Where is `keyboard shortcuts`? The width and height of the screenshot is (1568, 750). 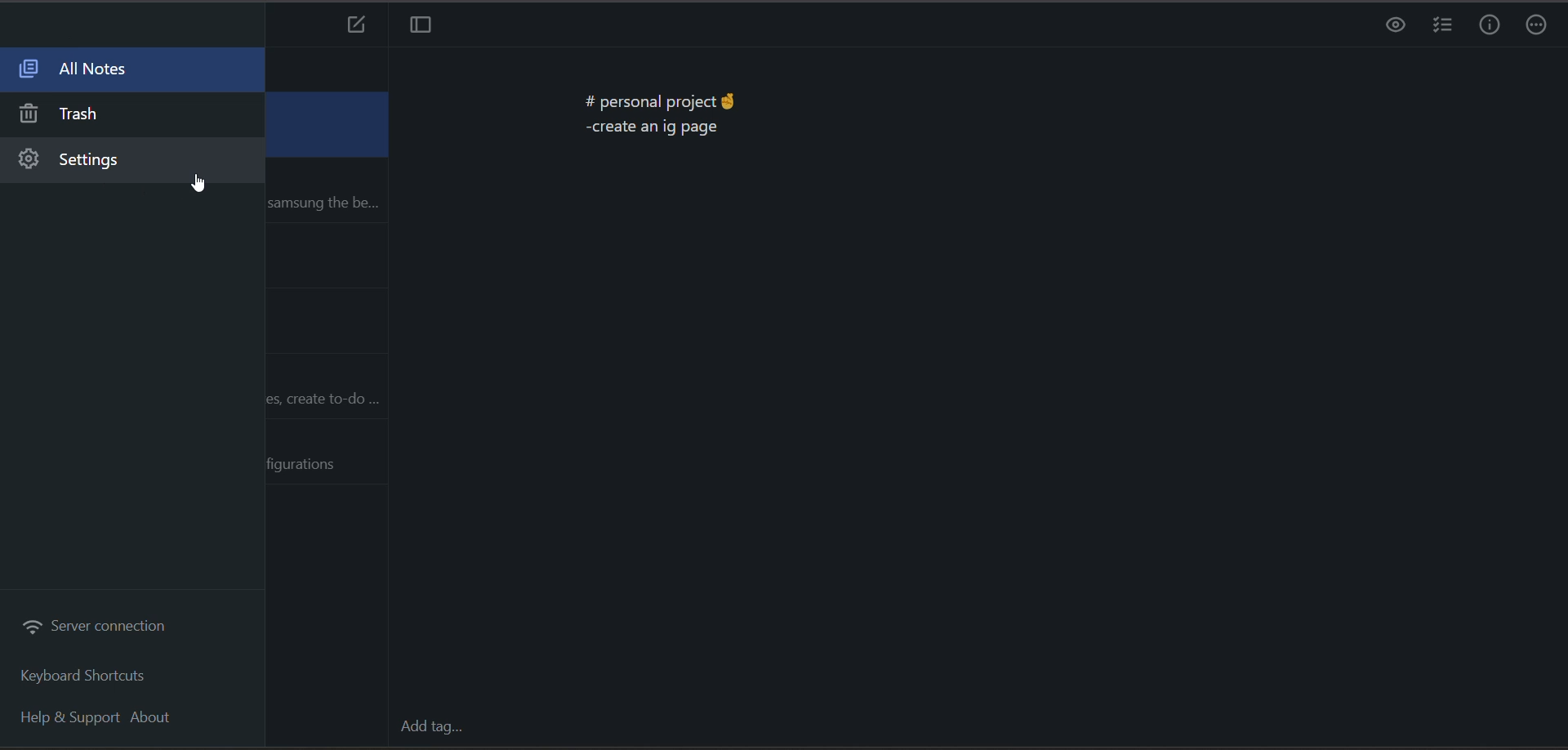 keyboard shortcuts is located at coordinates (87, 676).